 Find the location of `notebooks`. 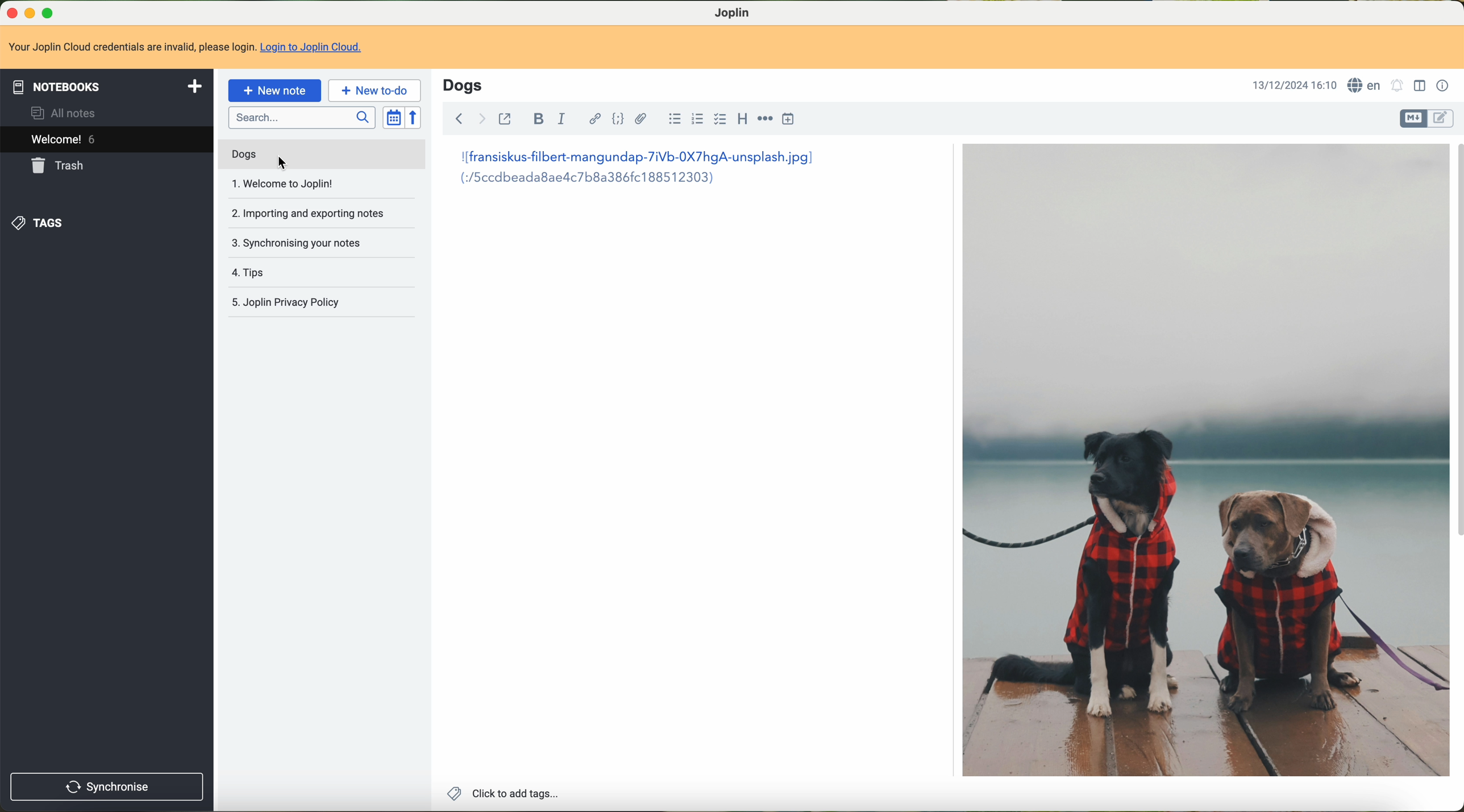

notebooks is located at coordinates (107, 86).